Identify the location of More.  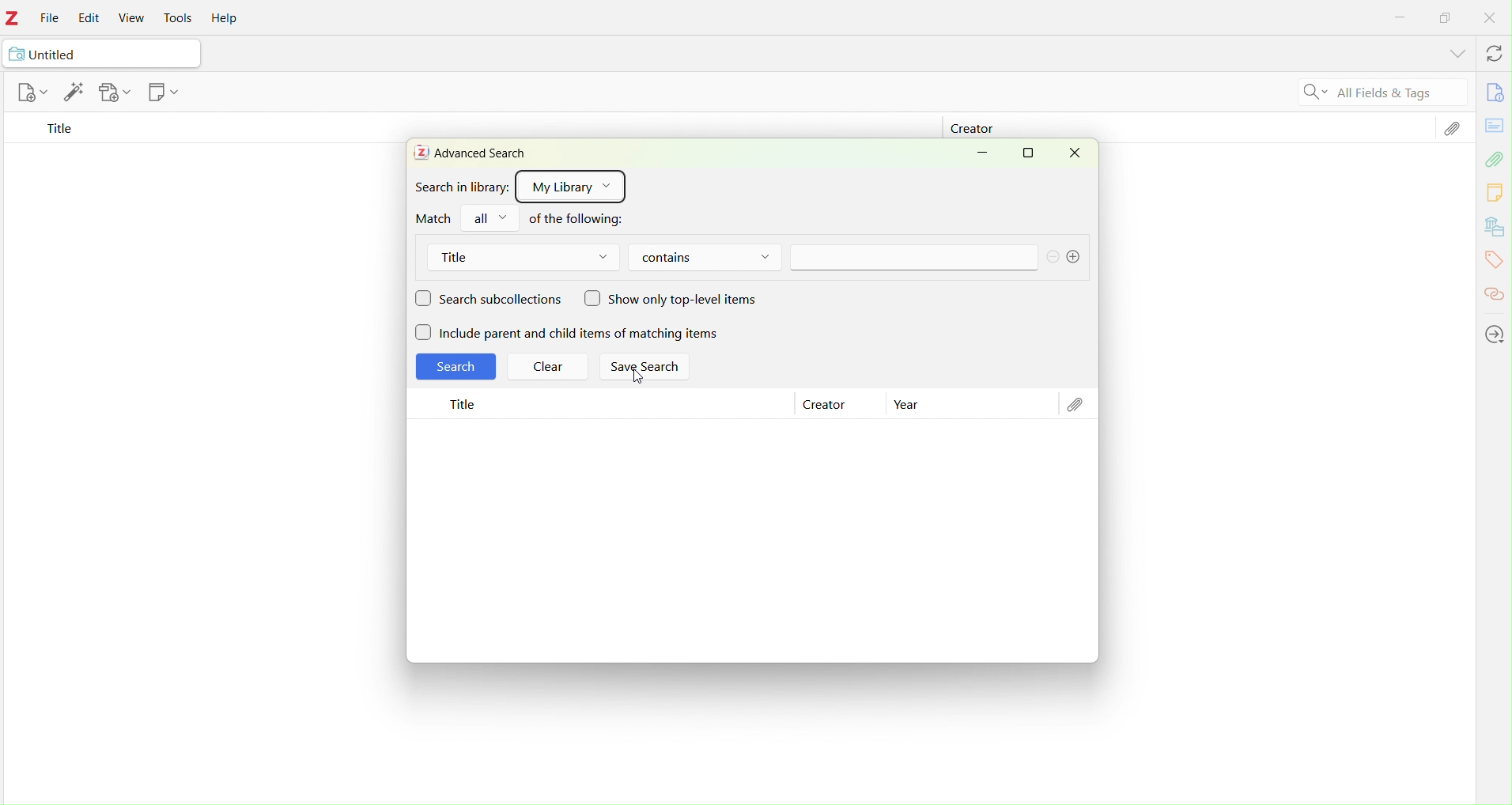
(1067, 257).